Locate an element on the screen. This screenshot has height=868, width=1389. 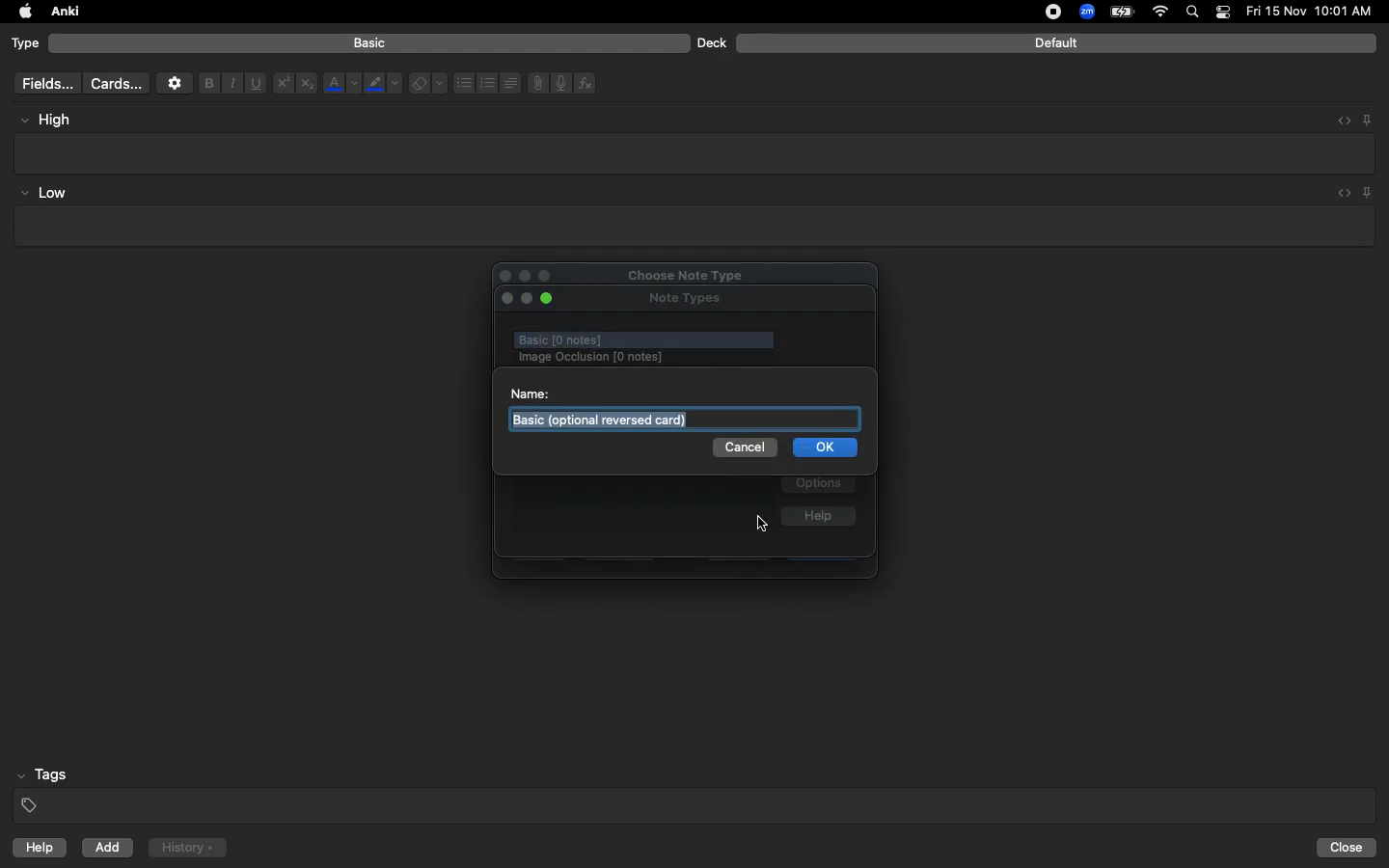
History is located at coordinates (187, 848).